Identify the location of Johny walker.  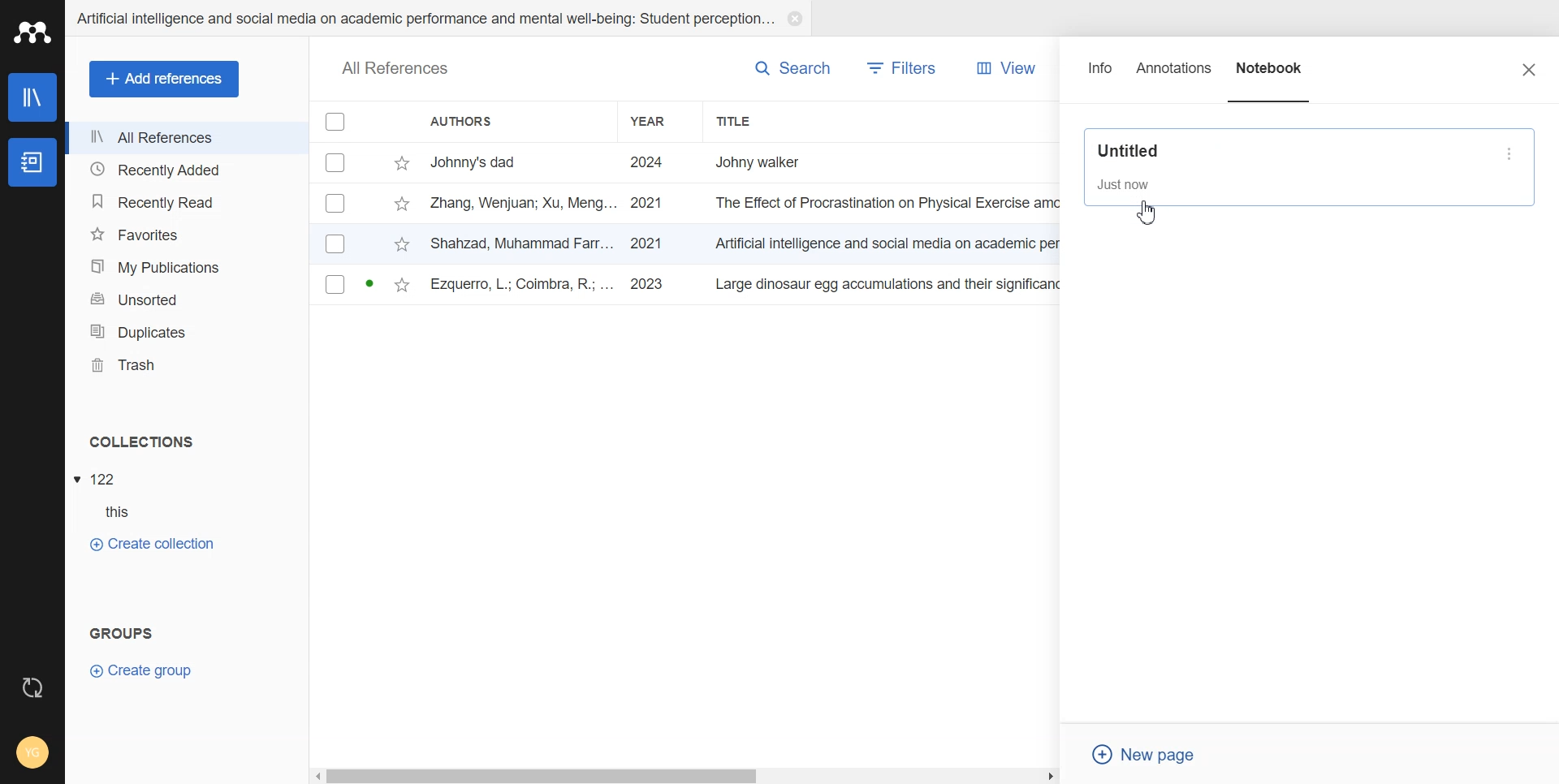
(775, 161).